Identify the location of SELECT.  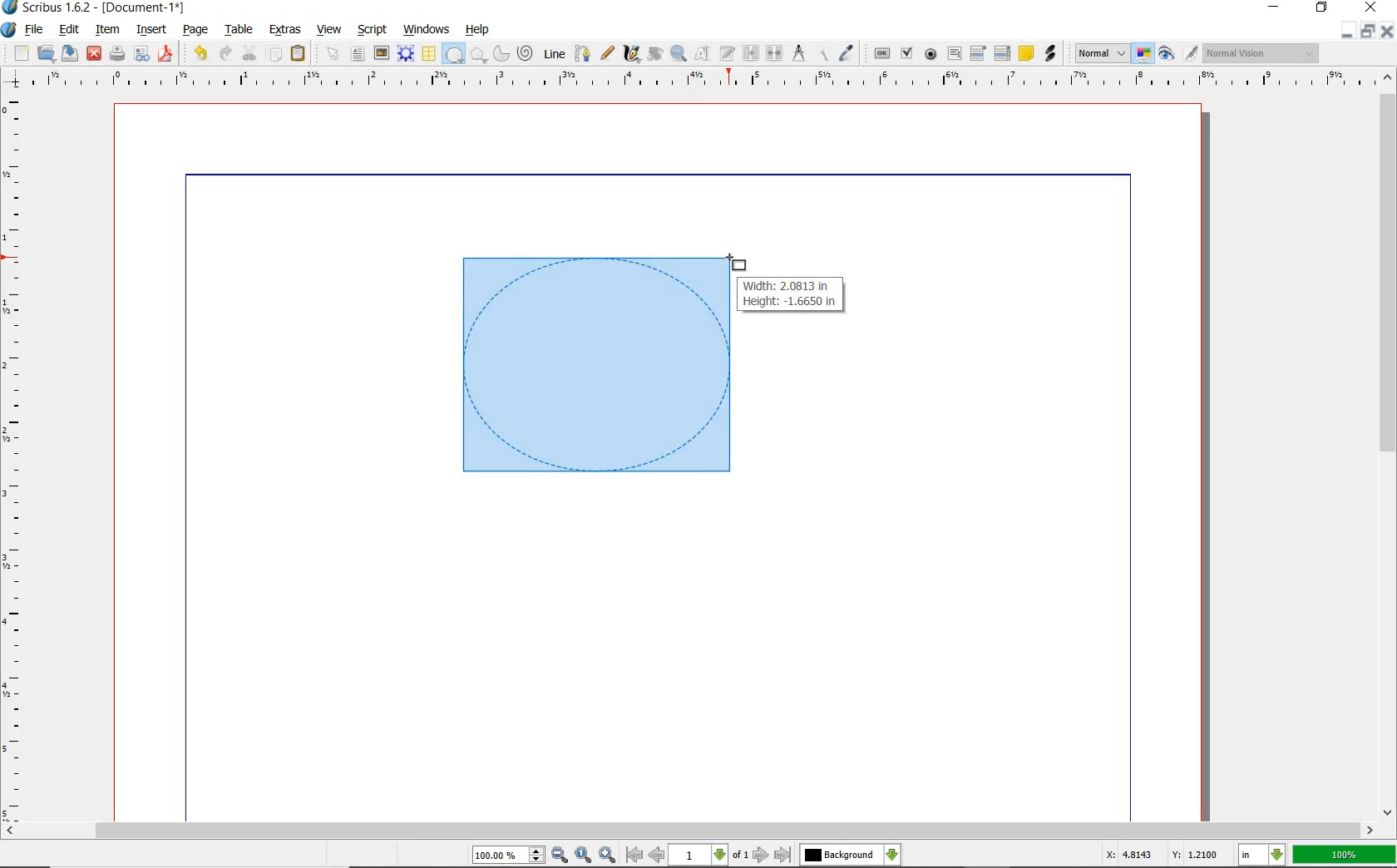
(333, 55).